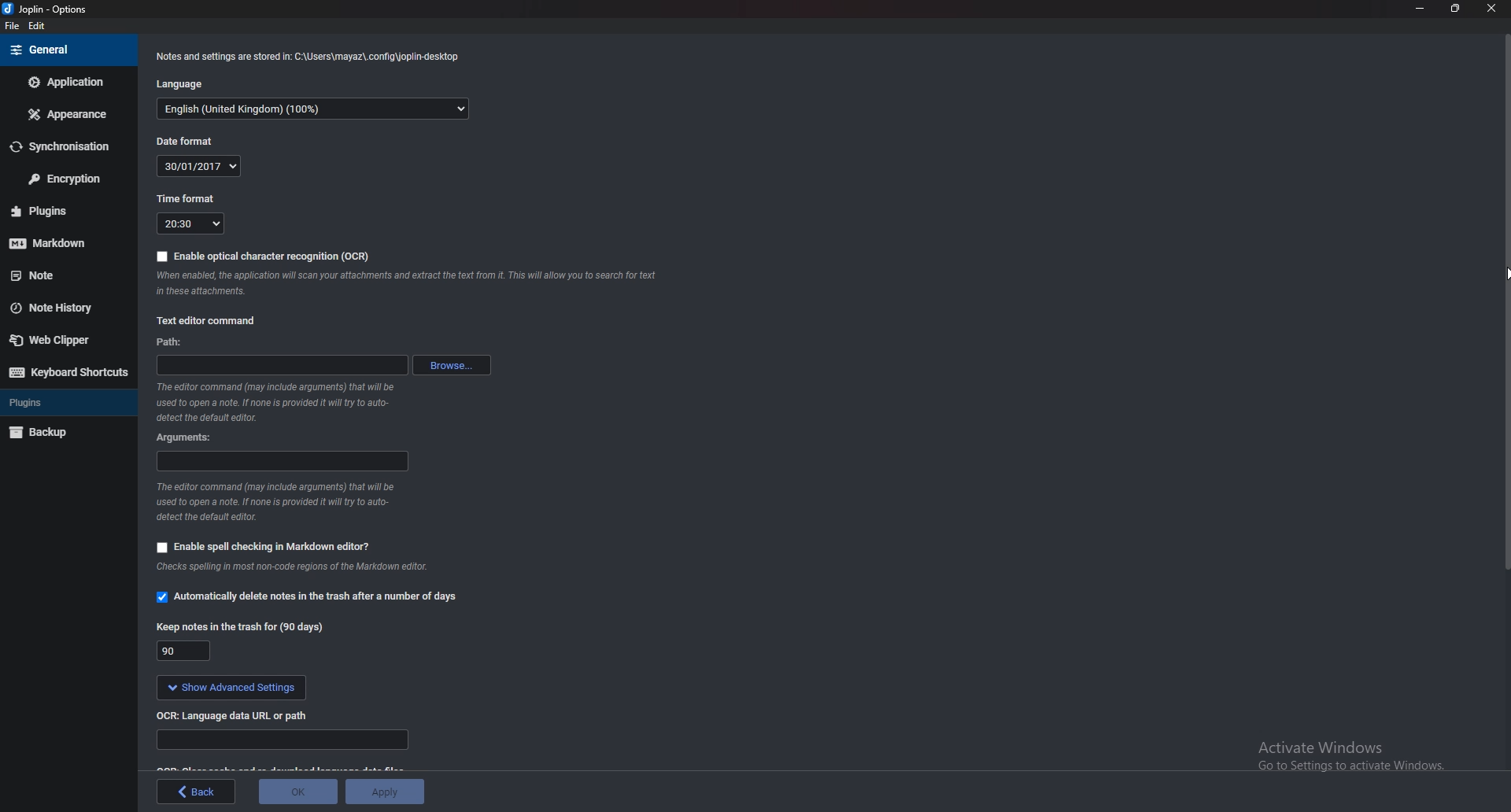 The image size is (1511, 812). Describe the element at coordinates (50, 10) in the screenshot. I see `joplin - options` at that location.